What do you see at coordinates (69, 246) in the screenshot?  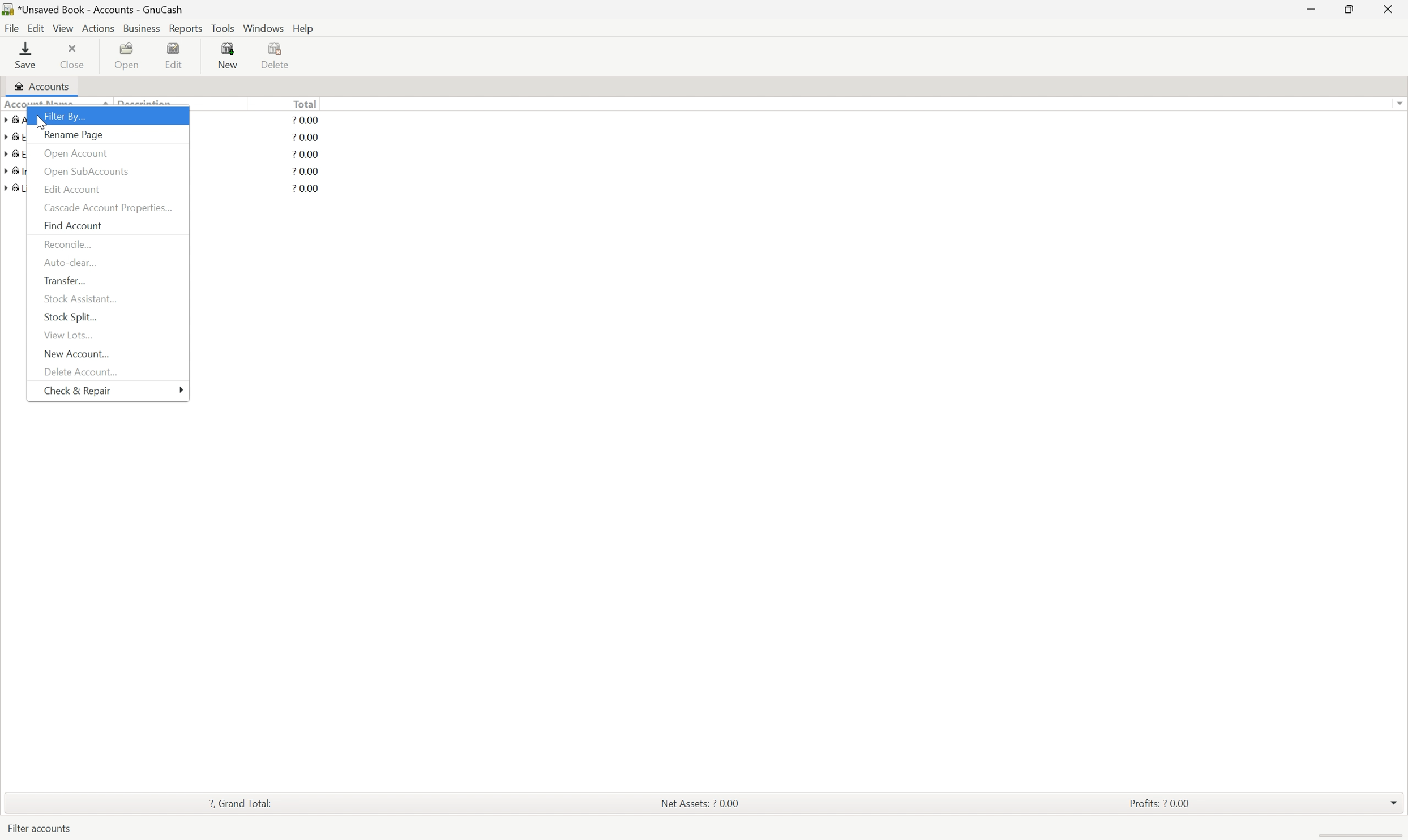 I see `Reconcile...` at bounding box center [69, 246].